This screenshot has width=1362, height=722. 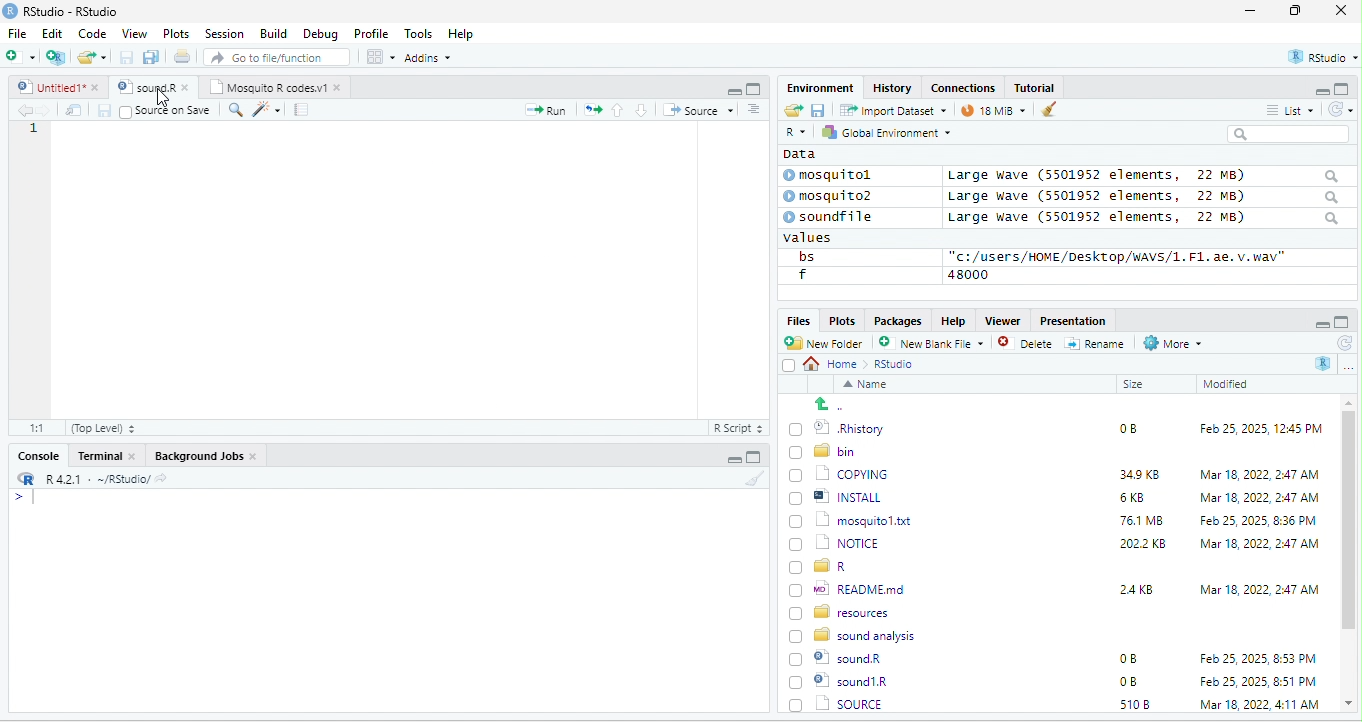 I want to click on RR R421 - ~/RStudio/, so click(x=87, y=481).